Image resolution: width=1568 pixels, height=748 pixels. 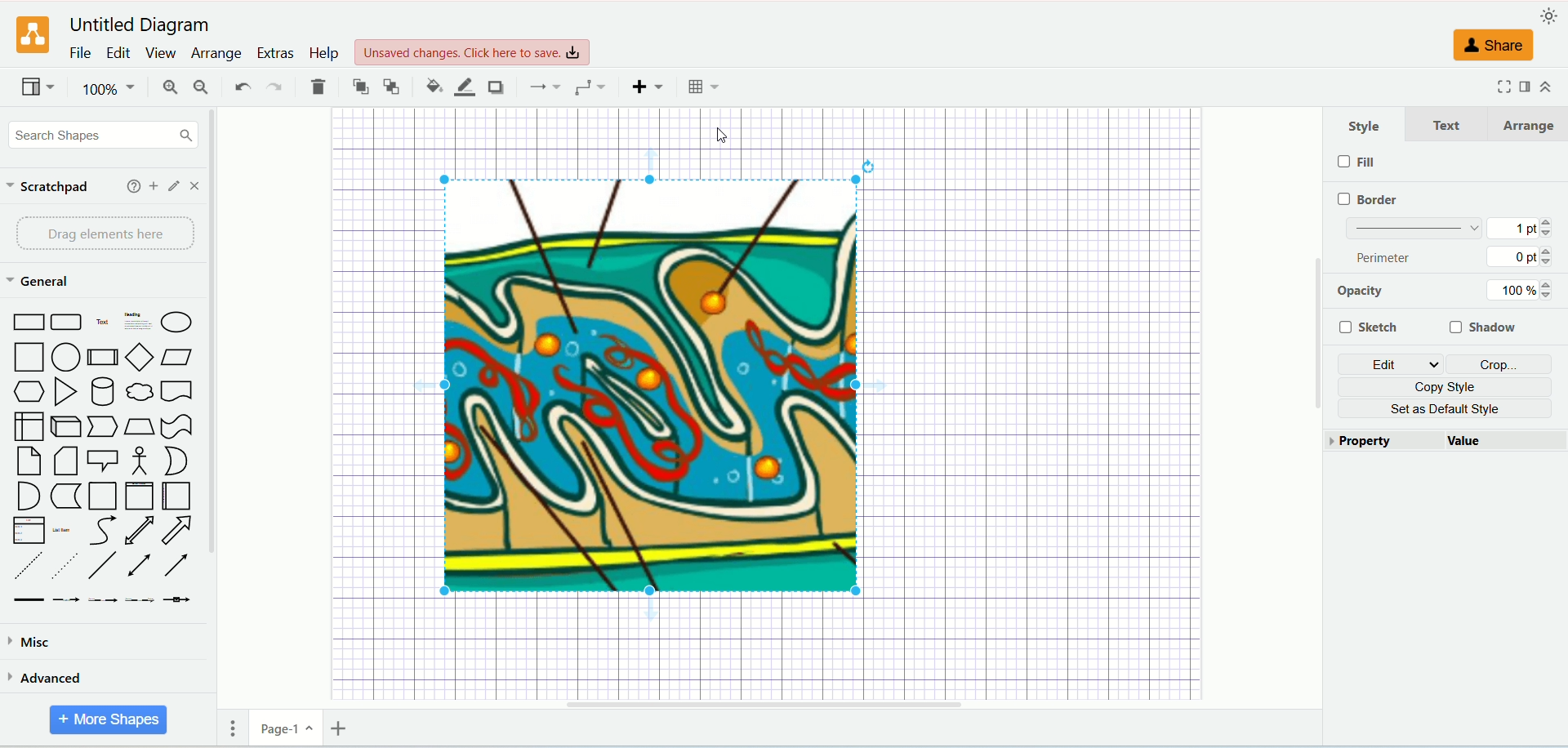 I want to click on perimeter, so click(x=1389, y=260).